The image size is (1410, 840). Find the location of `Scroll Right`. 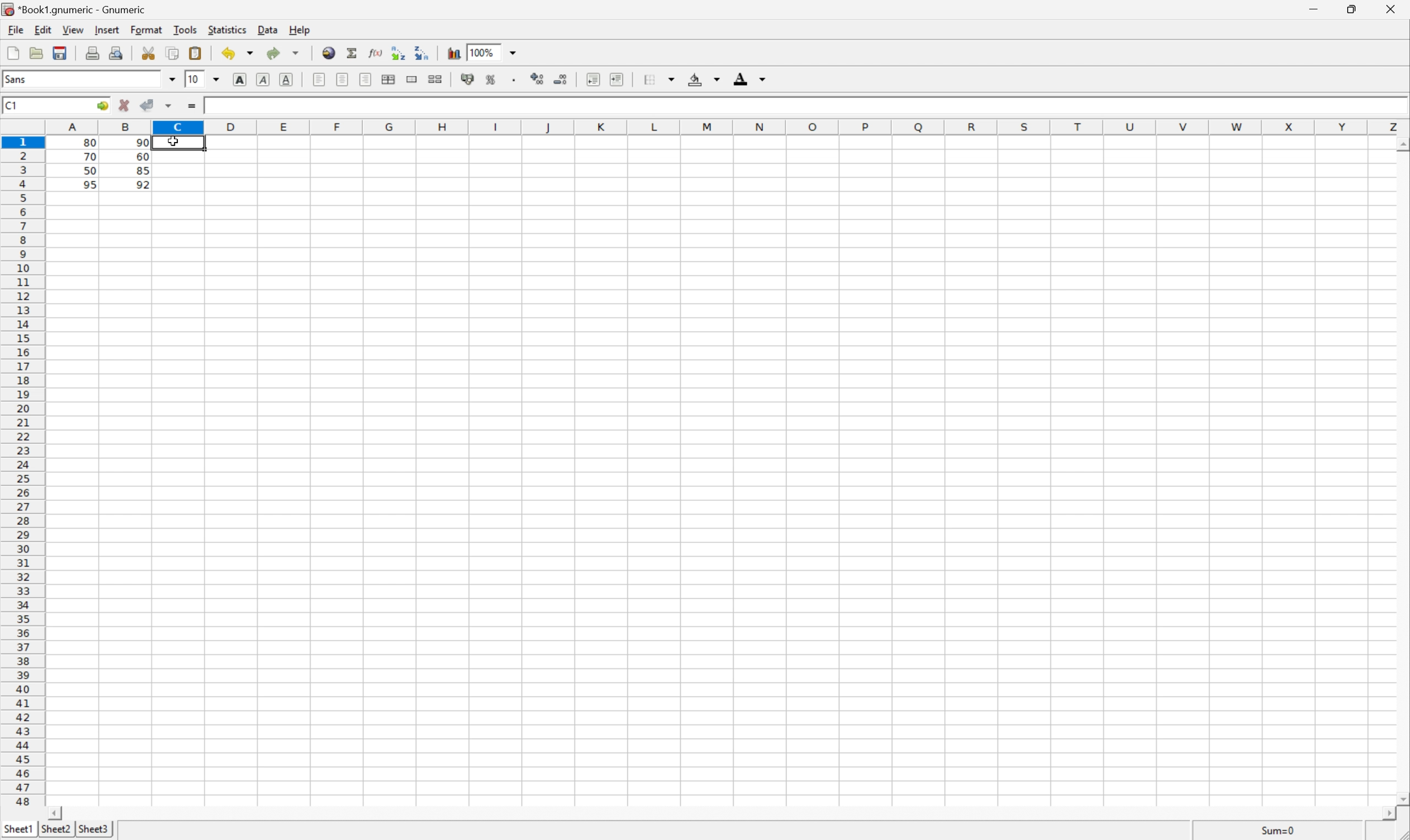

Scroll Right is located at coordinates (1385, 813).